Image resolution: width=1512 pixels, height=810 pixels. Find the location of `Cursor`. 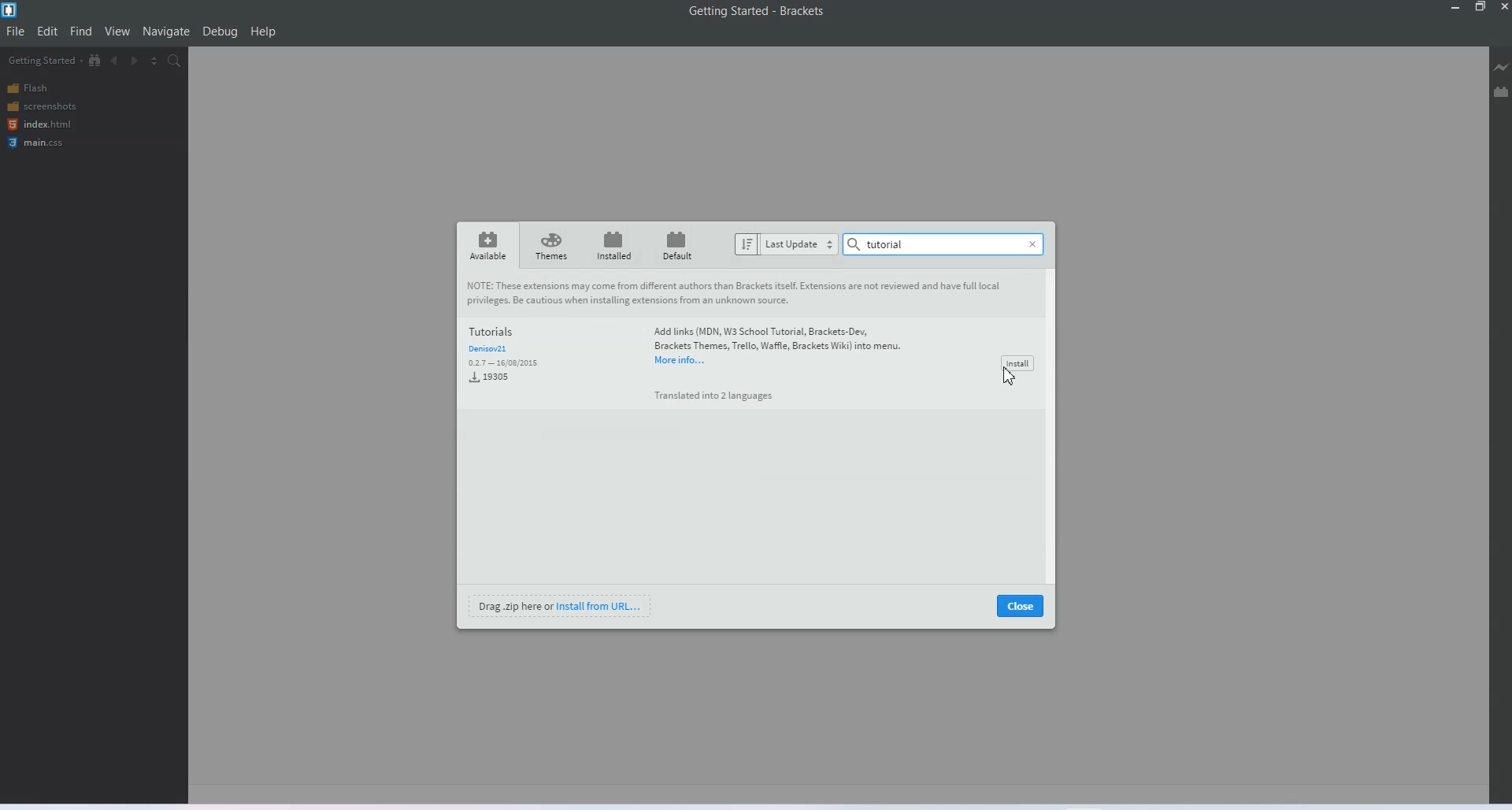

Cursor is located at coordinates (1011, 375).